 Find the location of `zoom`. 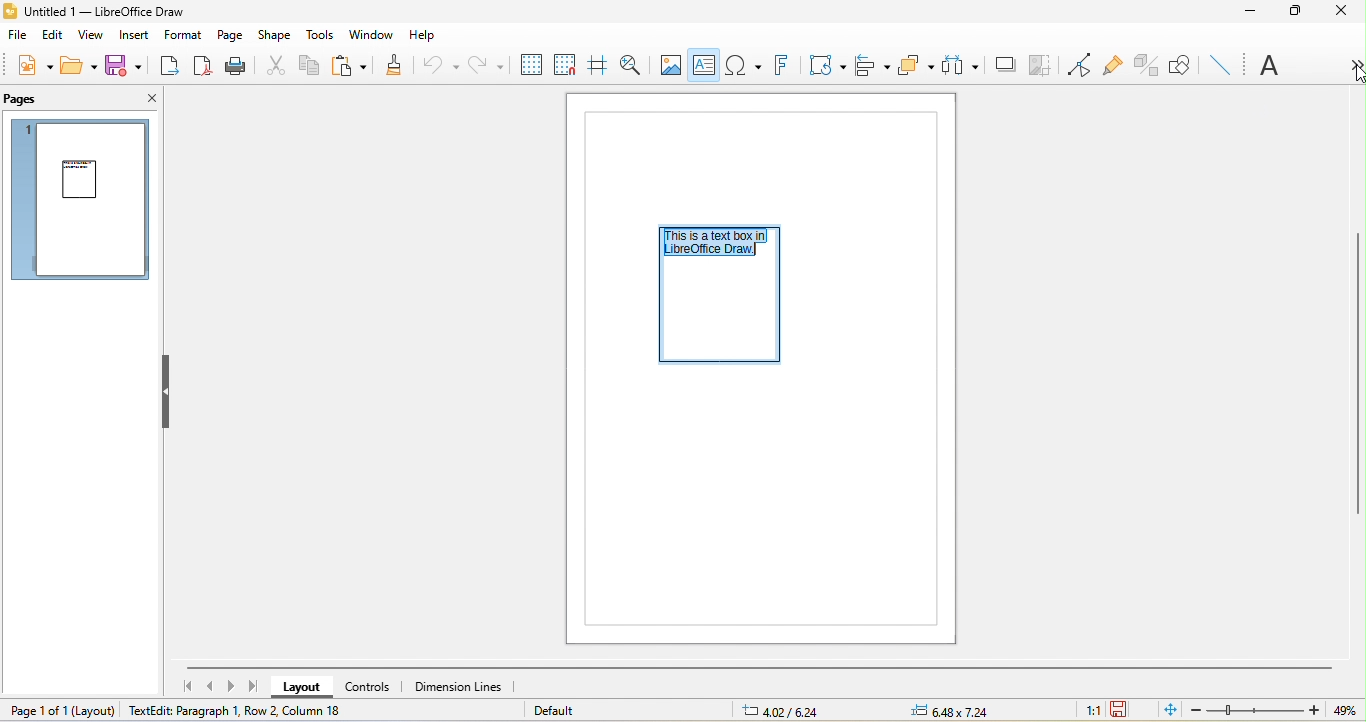

zoom is located at coordinates (1275, 710).